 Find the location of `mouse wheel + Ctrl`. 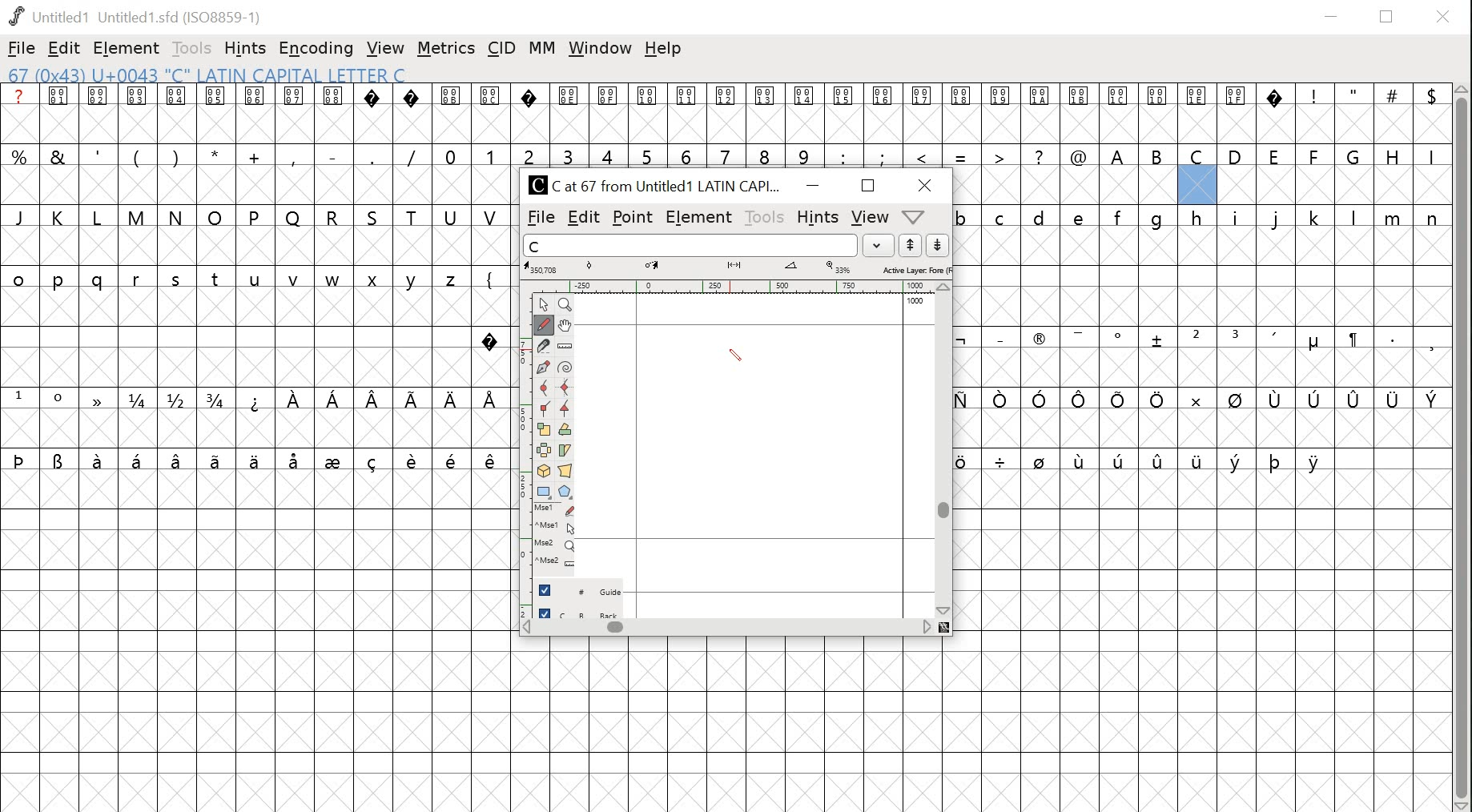

mouse wheel + Ctrl is located at coordinates (557, 564).